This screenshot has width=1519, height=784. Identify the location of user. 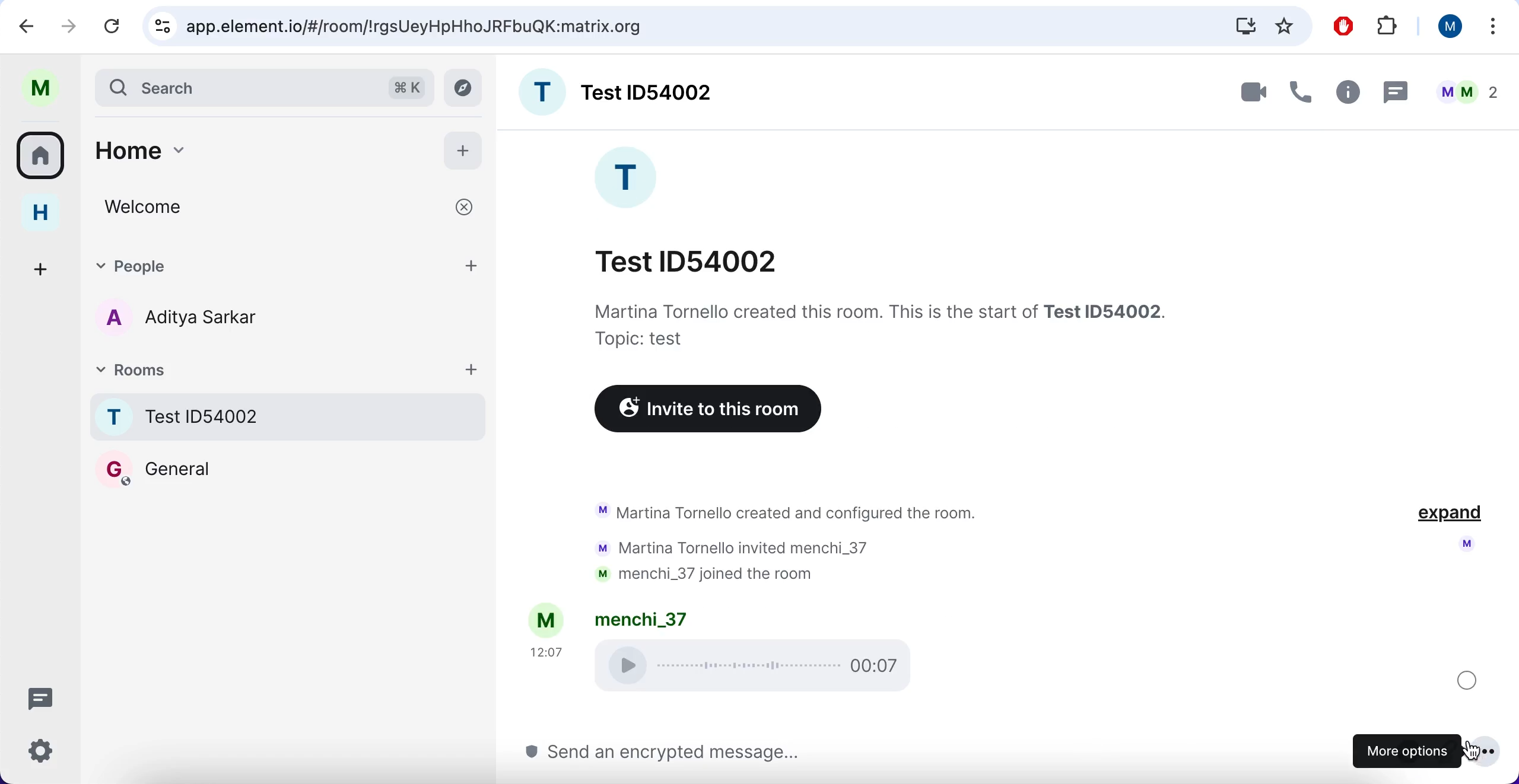
(40, 88).